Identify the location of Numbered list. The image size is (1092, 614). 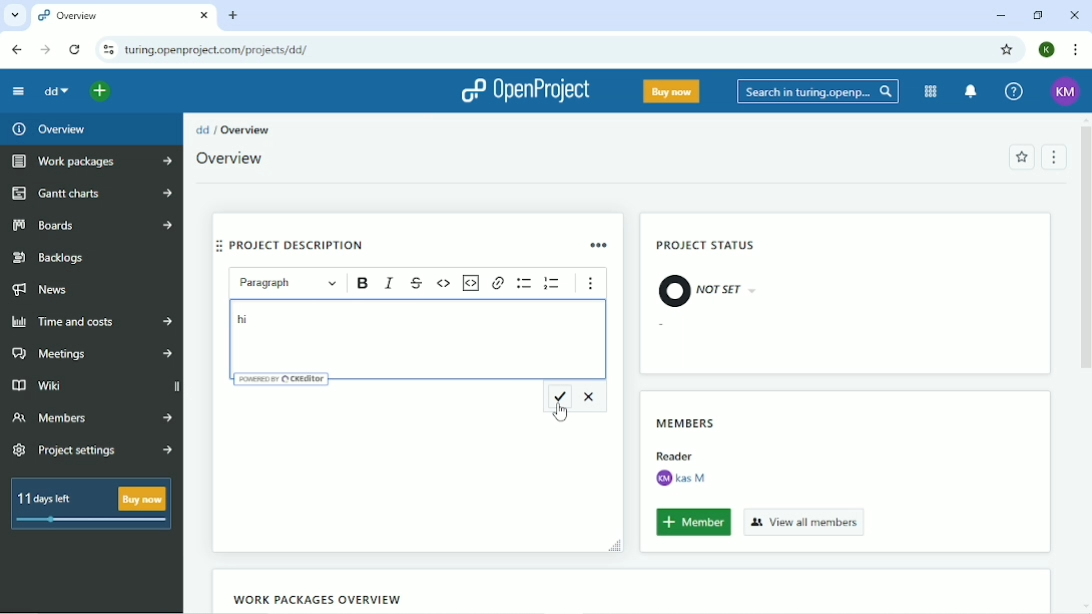
(554, 283).